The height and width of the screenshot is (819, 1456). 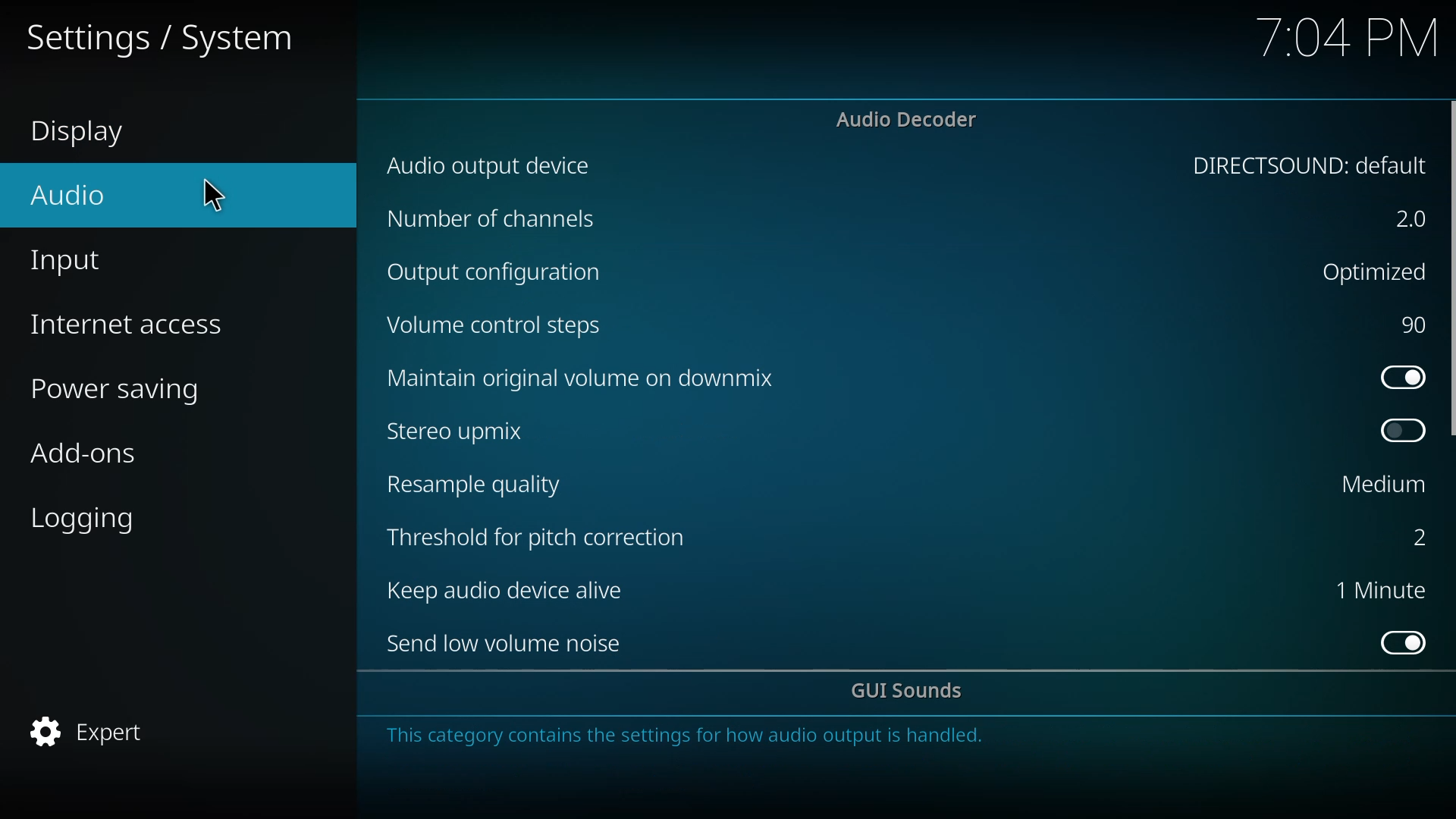 I want to click on input, so click(x=71, y=264).